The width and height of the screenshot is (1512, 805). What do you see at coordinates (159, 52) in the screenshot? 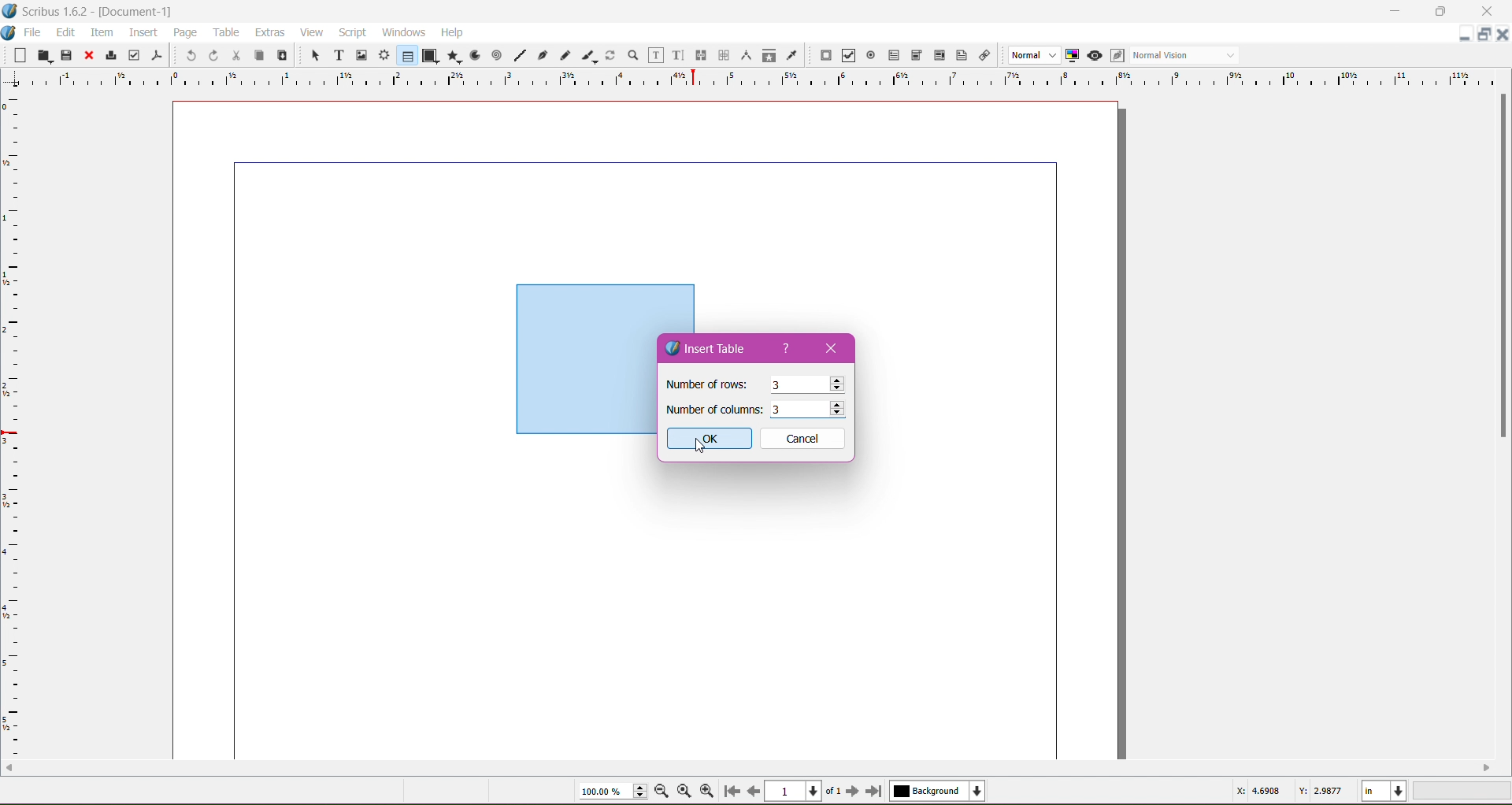
I see `Save as PDF` at bounding box center [159, 52].